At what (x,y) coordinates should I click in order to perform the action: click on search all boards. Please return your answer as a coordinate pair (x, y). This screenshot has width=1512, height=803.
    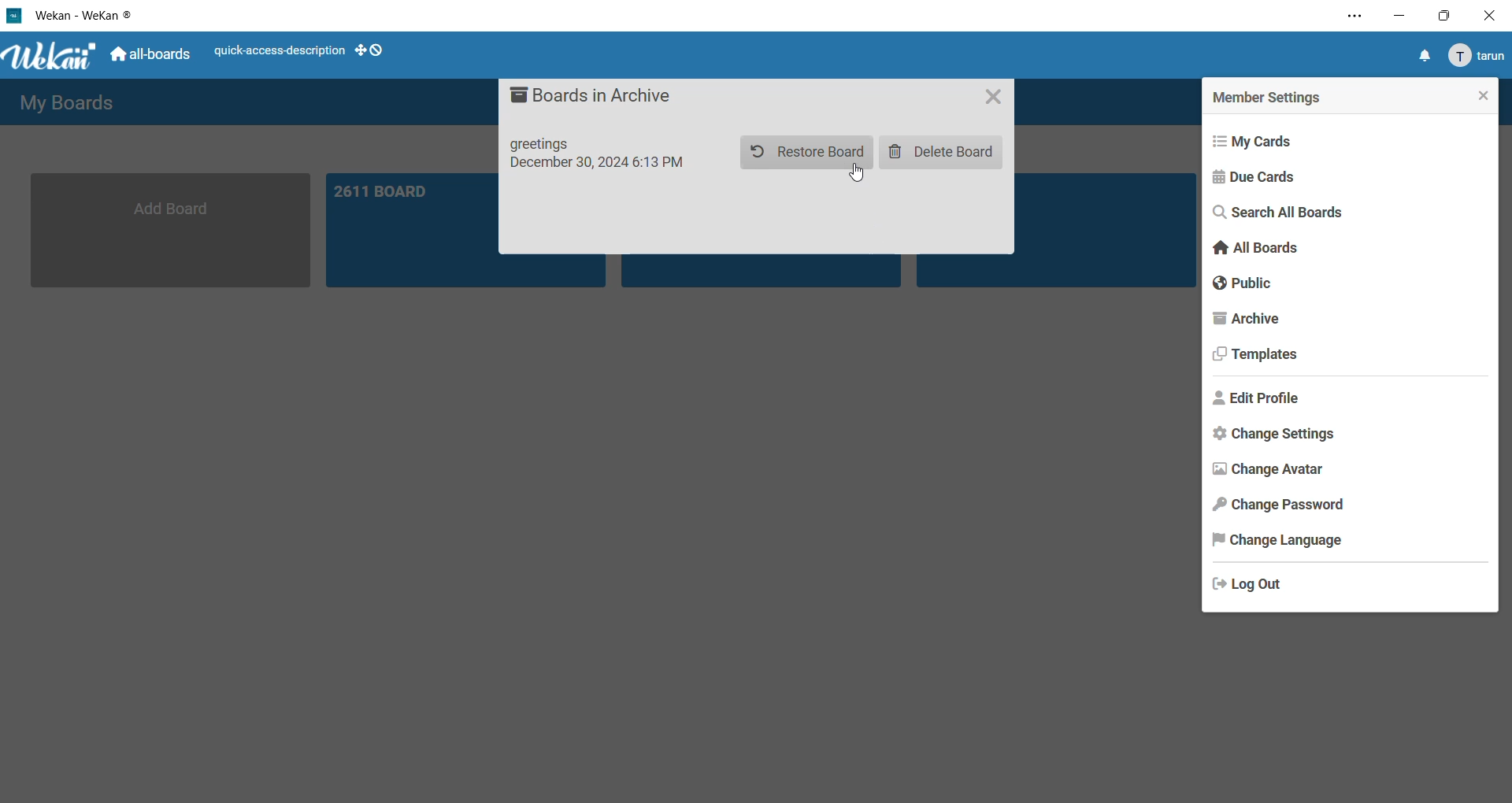
    Looking at the image, I should click on (1285, 214).